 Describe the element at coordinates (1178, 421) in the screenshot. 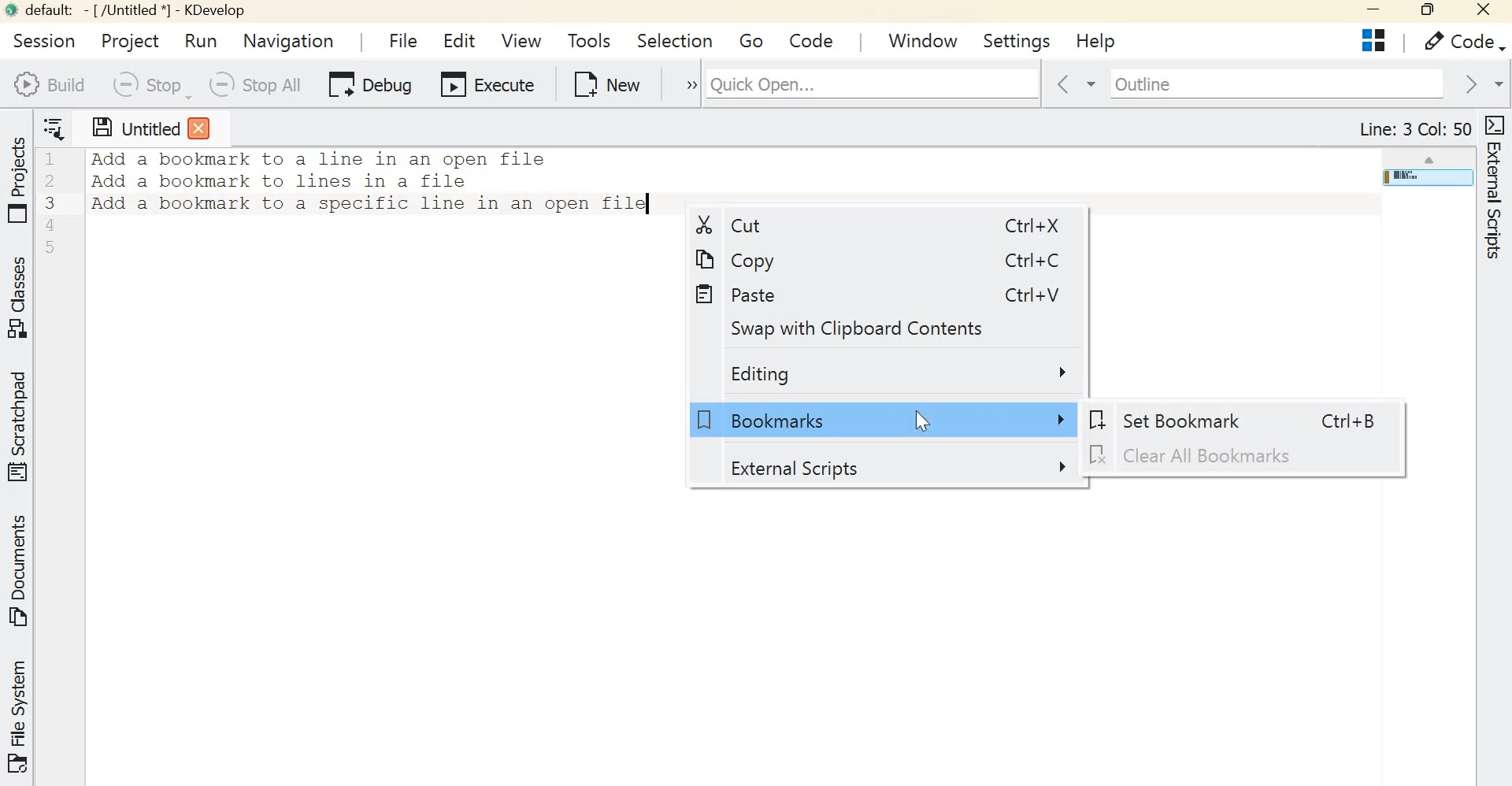

I see `Set bookmark` at that location.